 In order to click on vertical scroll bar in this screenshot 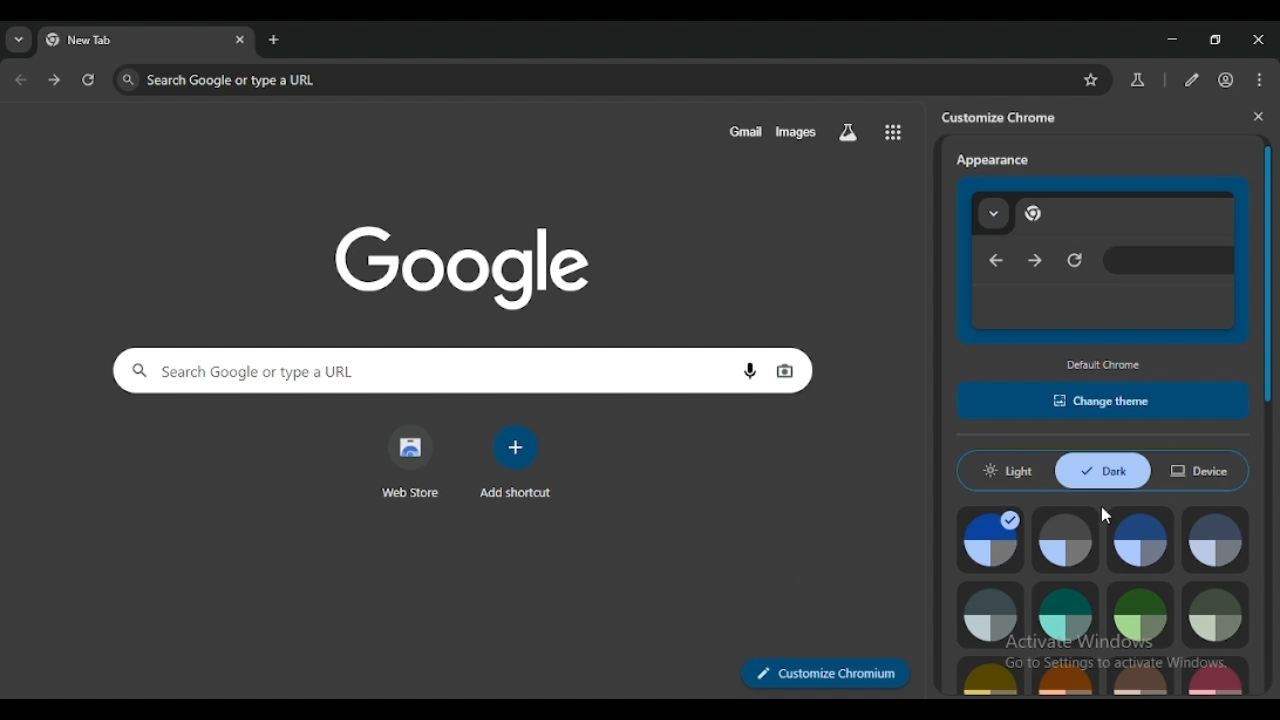, I will do `click(1262, 276)`.